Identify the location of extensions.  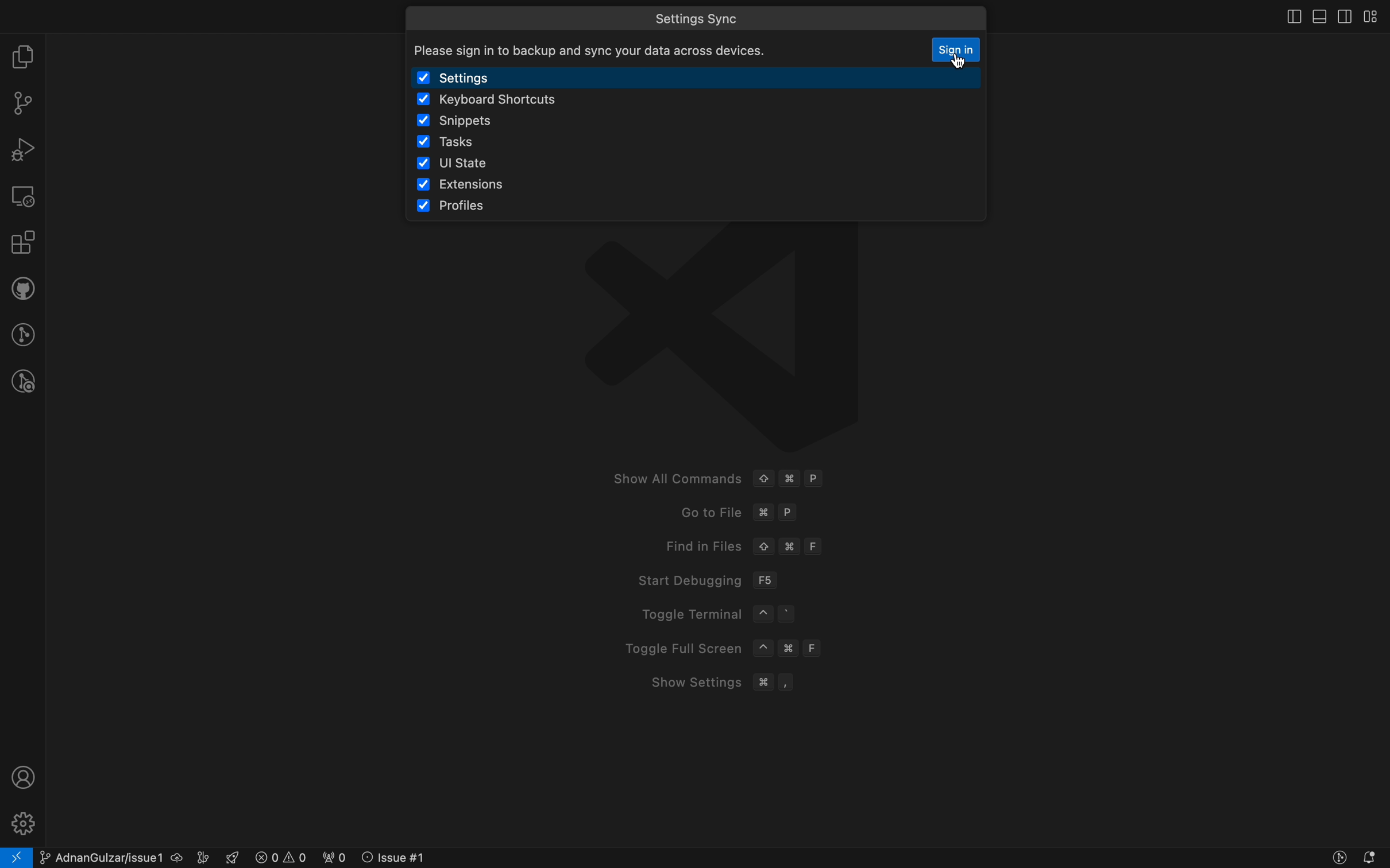
(21, 243).